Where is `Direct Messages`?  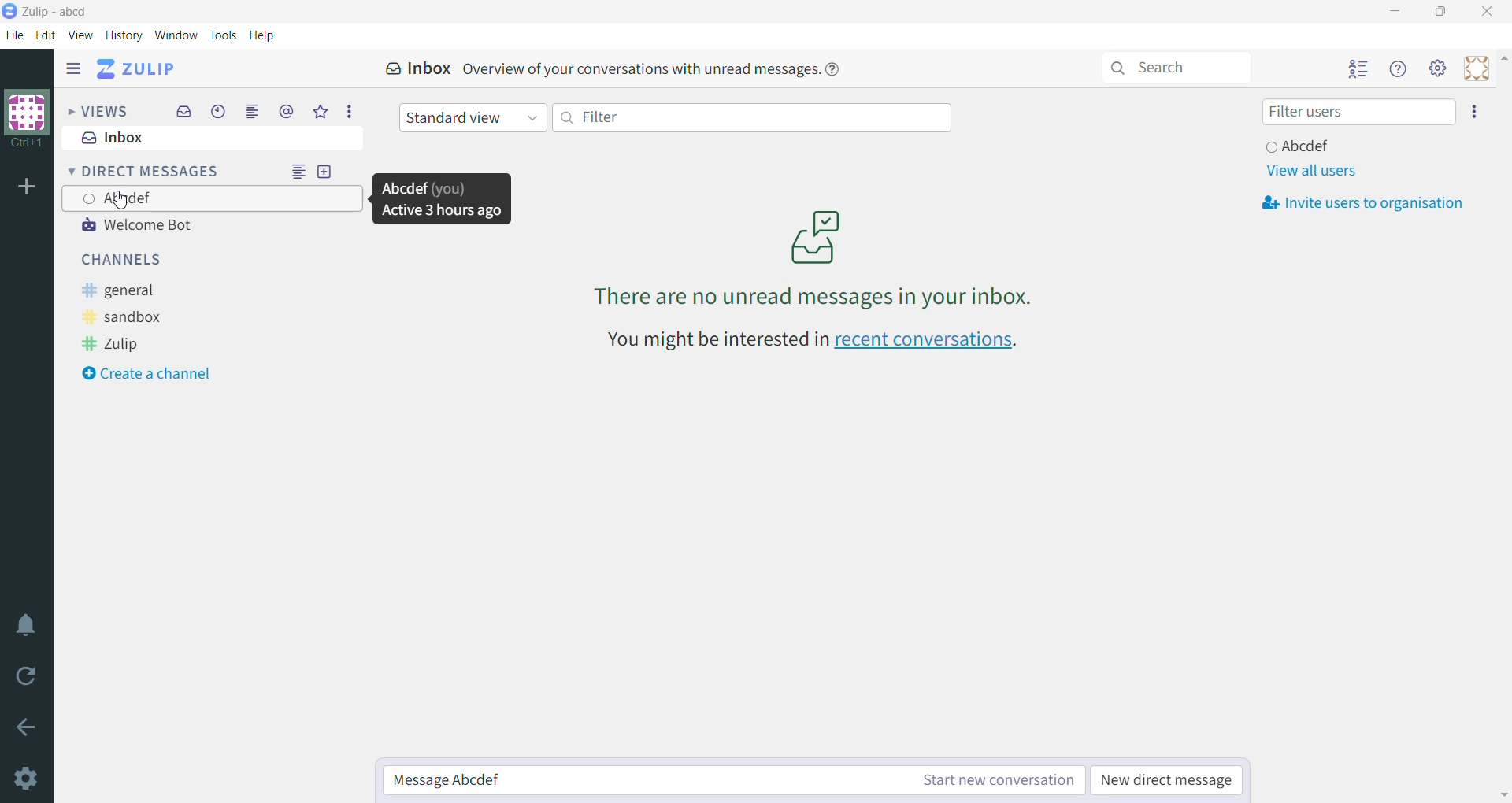 Direct Messages is located at coordinates (147, 171).